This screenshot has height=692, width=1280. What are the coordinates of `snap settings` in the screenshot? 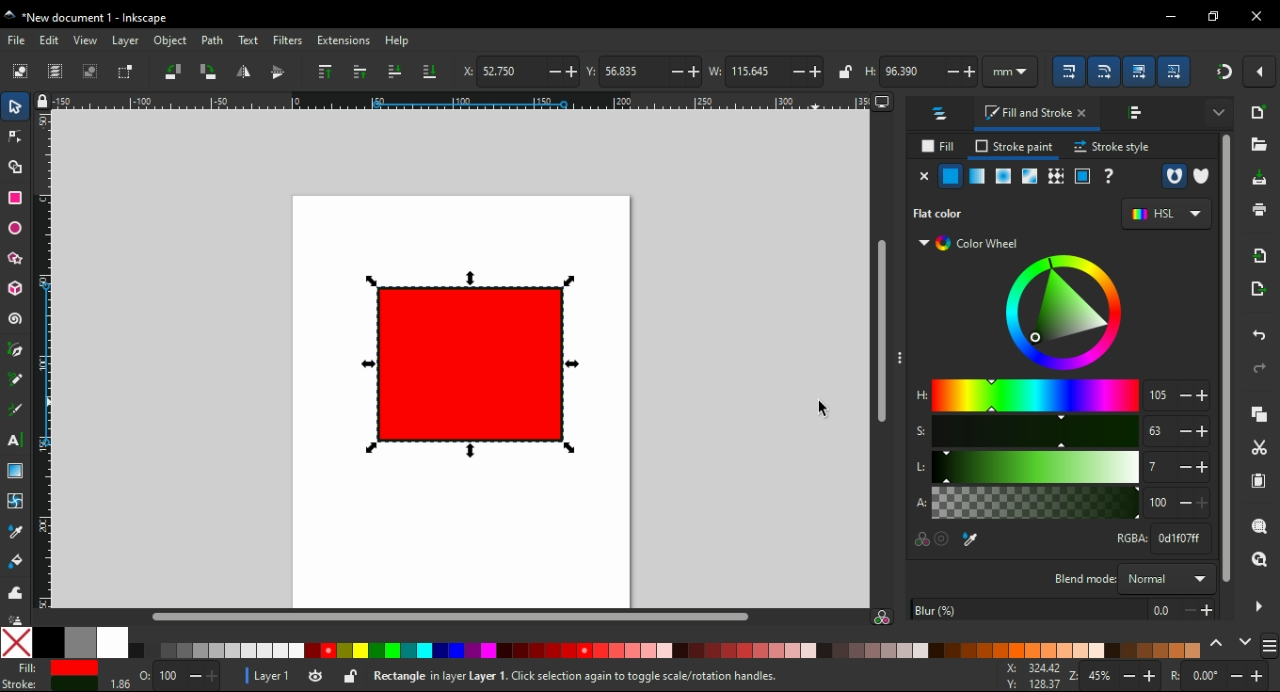 It's located at (1260, 71).